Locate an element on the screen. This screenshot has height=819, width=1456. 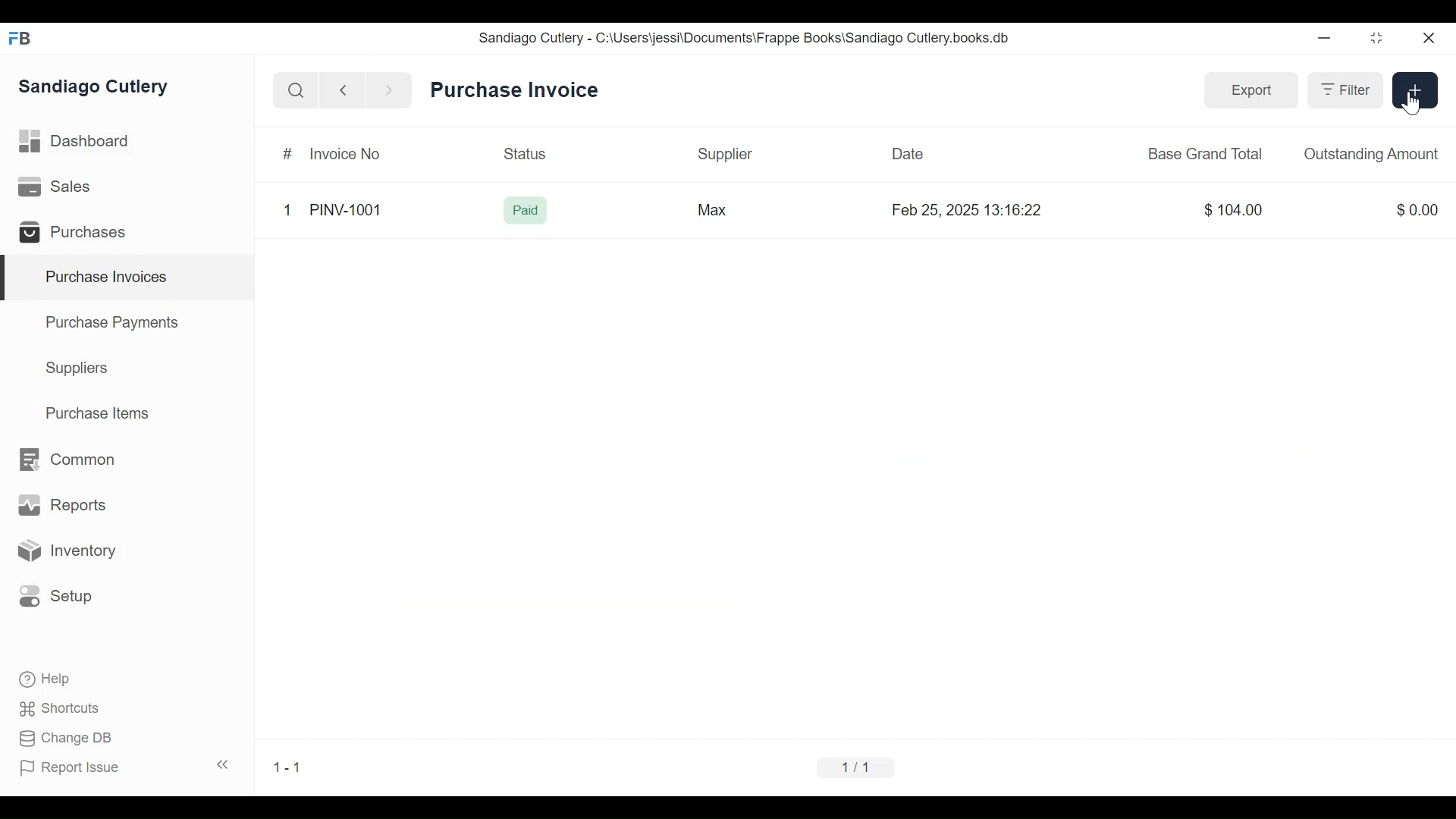
Max is located at coordinates (710, 209).